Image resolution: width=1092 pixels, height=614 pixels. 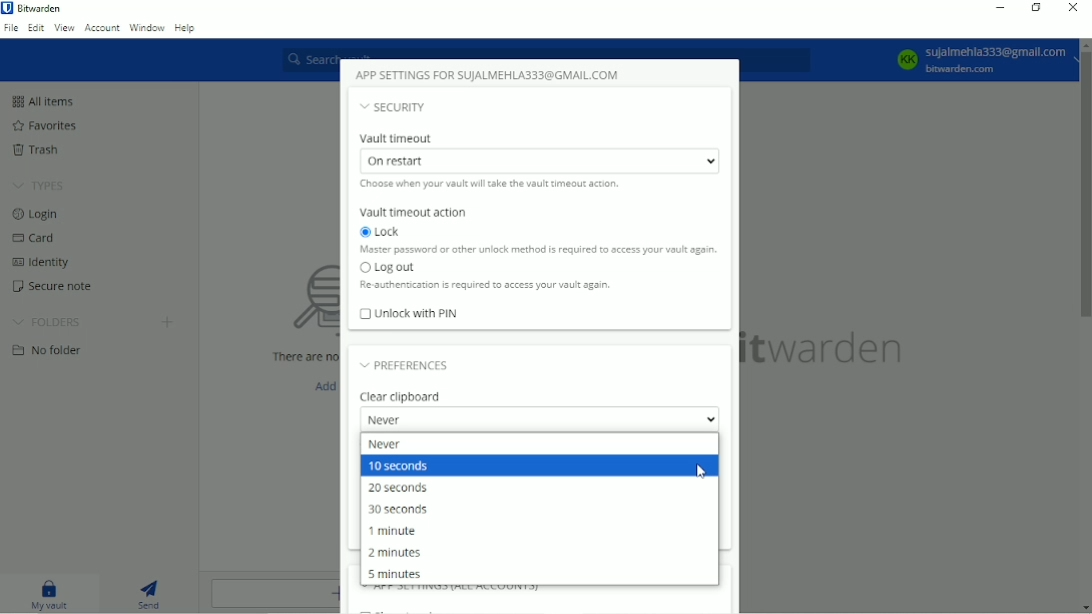 What do you see at coordinates (982, 60) in the screenshot?
I see `KK Sujalmehla333@gmail.com      bitwarden.com` at bounding box center [982, 60].